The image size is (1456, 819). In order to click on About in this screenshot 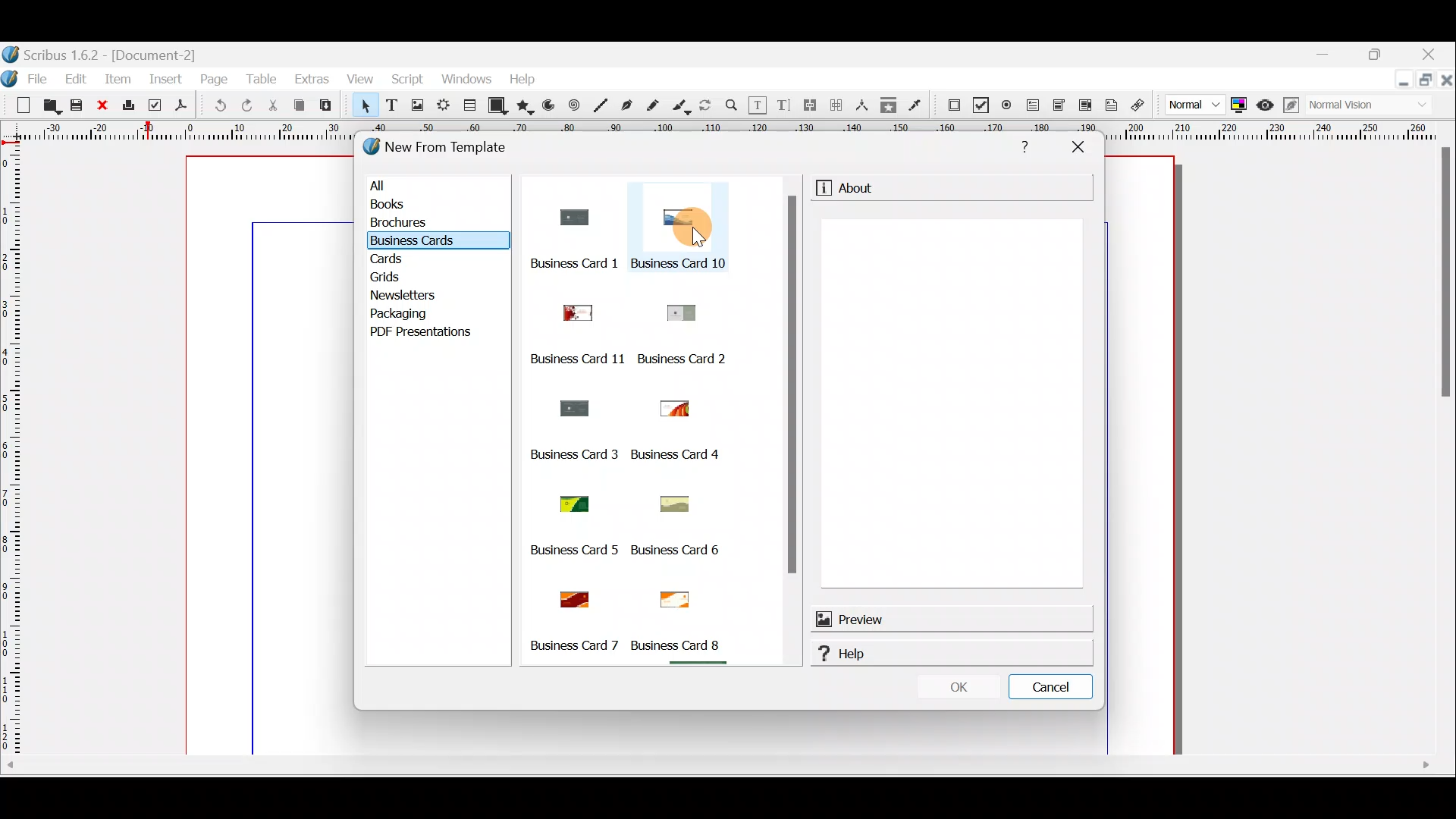, I will do `click(861, 188)`.